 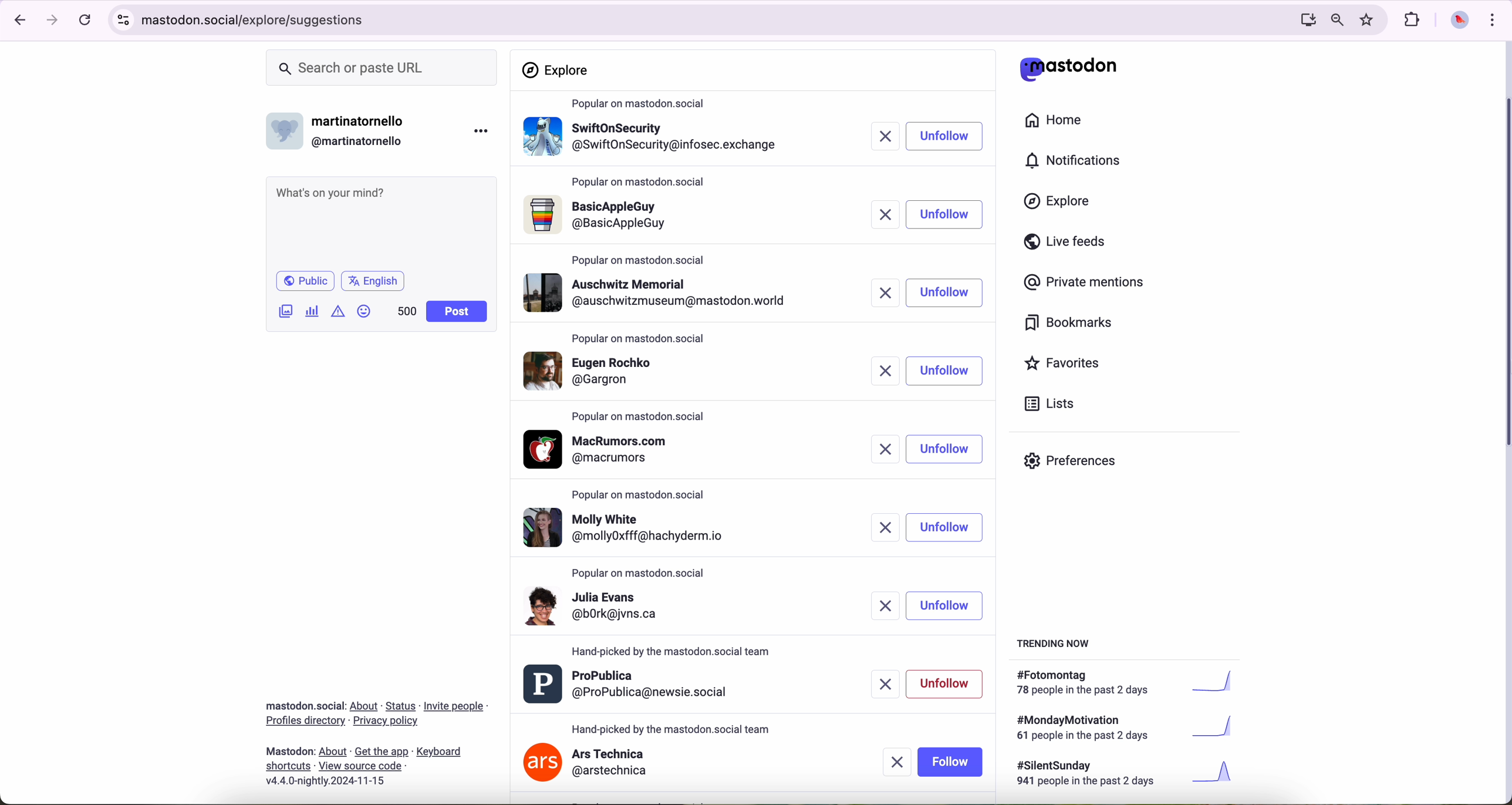 I want to click on unfollow, so click(x=944, y=295).